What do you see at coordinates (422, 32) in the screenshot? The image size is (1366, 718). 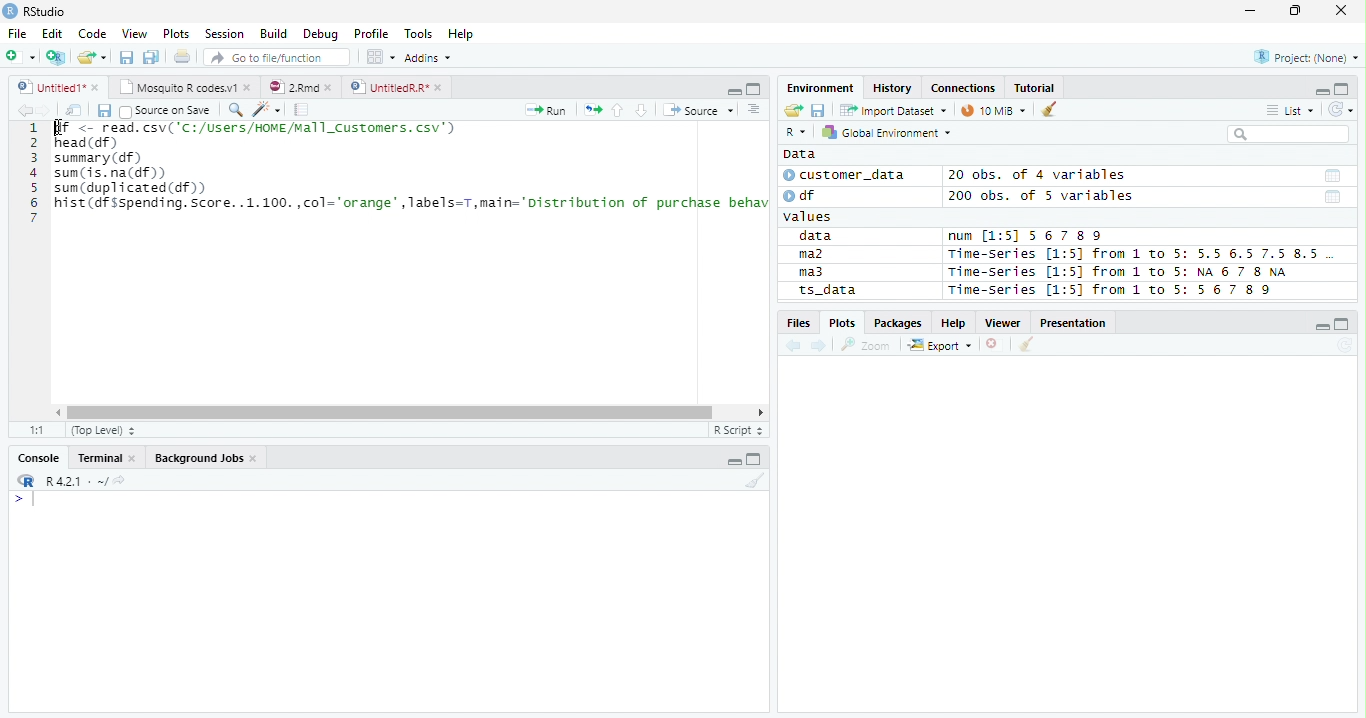 I see `Tools` at bounding box center [422, 32].